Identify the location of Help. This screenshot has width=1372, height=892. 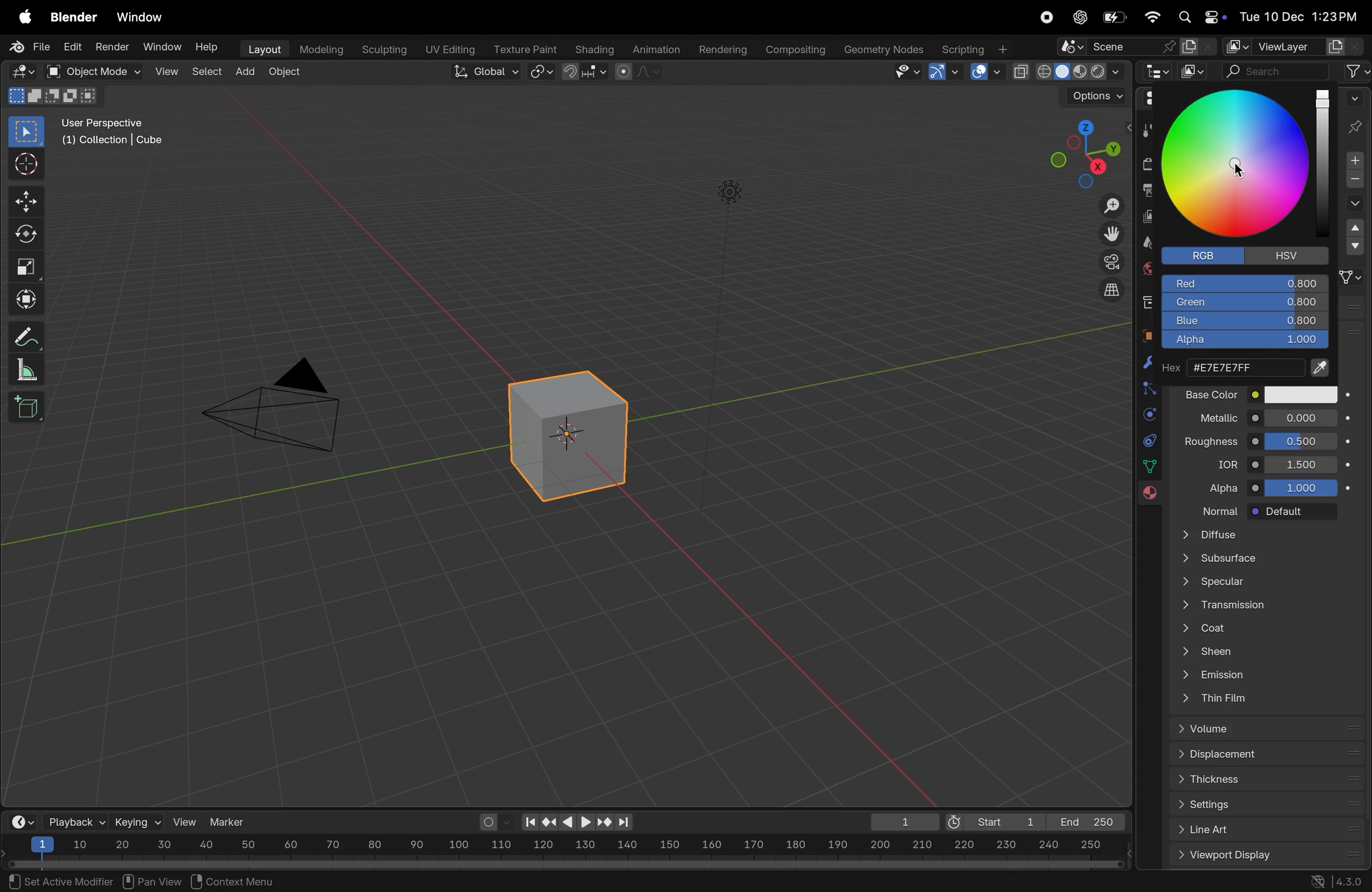
(209, 48).